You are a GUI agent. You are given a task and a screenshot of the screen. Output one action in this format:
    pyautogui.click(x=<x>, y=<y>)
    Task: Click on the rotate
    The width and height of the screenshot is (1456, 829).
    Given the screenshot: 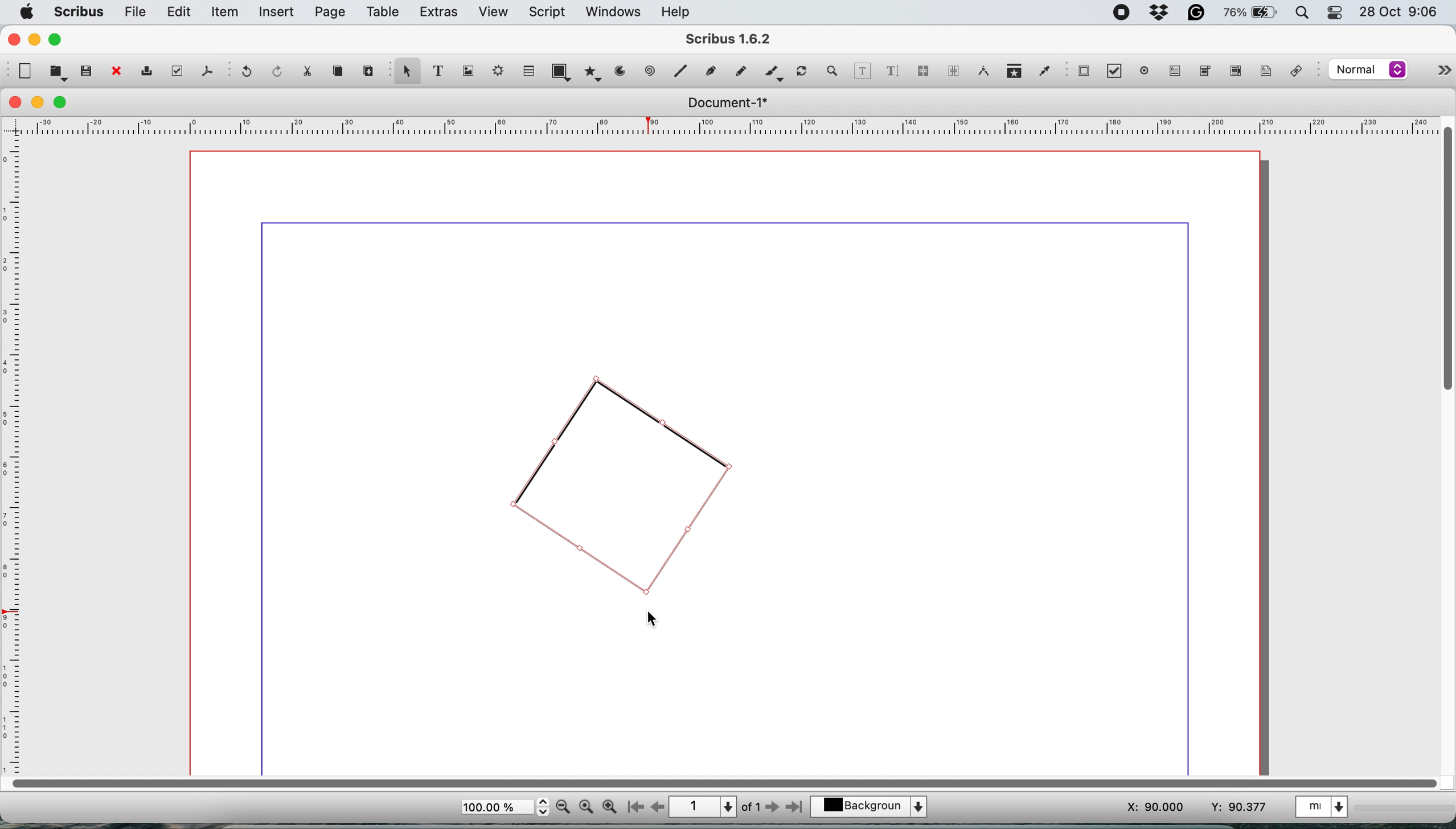 What is the action you would take?
    pyautogui.click(x=803, y=67)
    